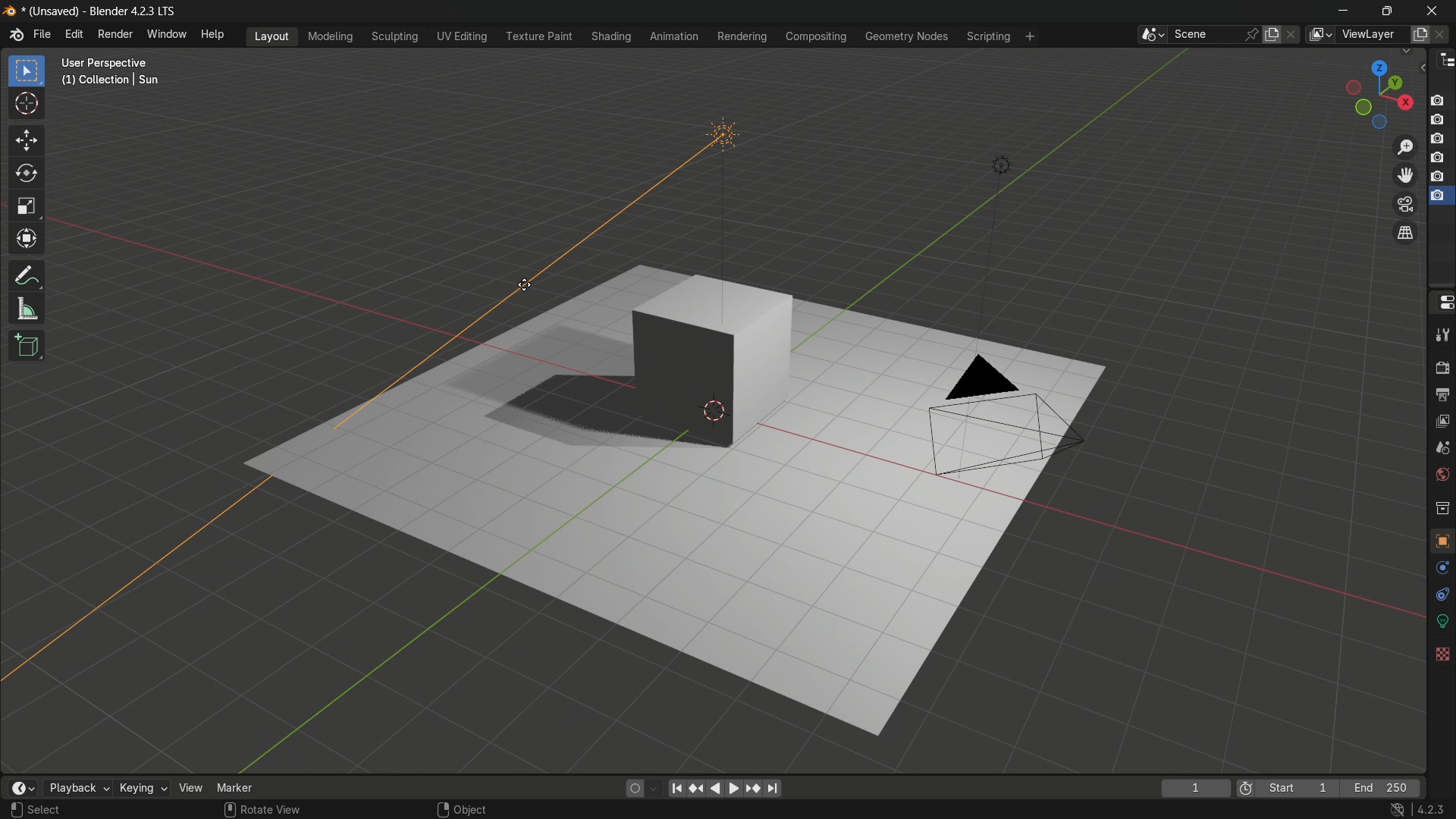 Image resolution: width=1456 pixels, height=819 pixels. What do you see at coordinates (472, 810) in the screenshot?
I see `object` at bounding box center [472, 810].